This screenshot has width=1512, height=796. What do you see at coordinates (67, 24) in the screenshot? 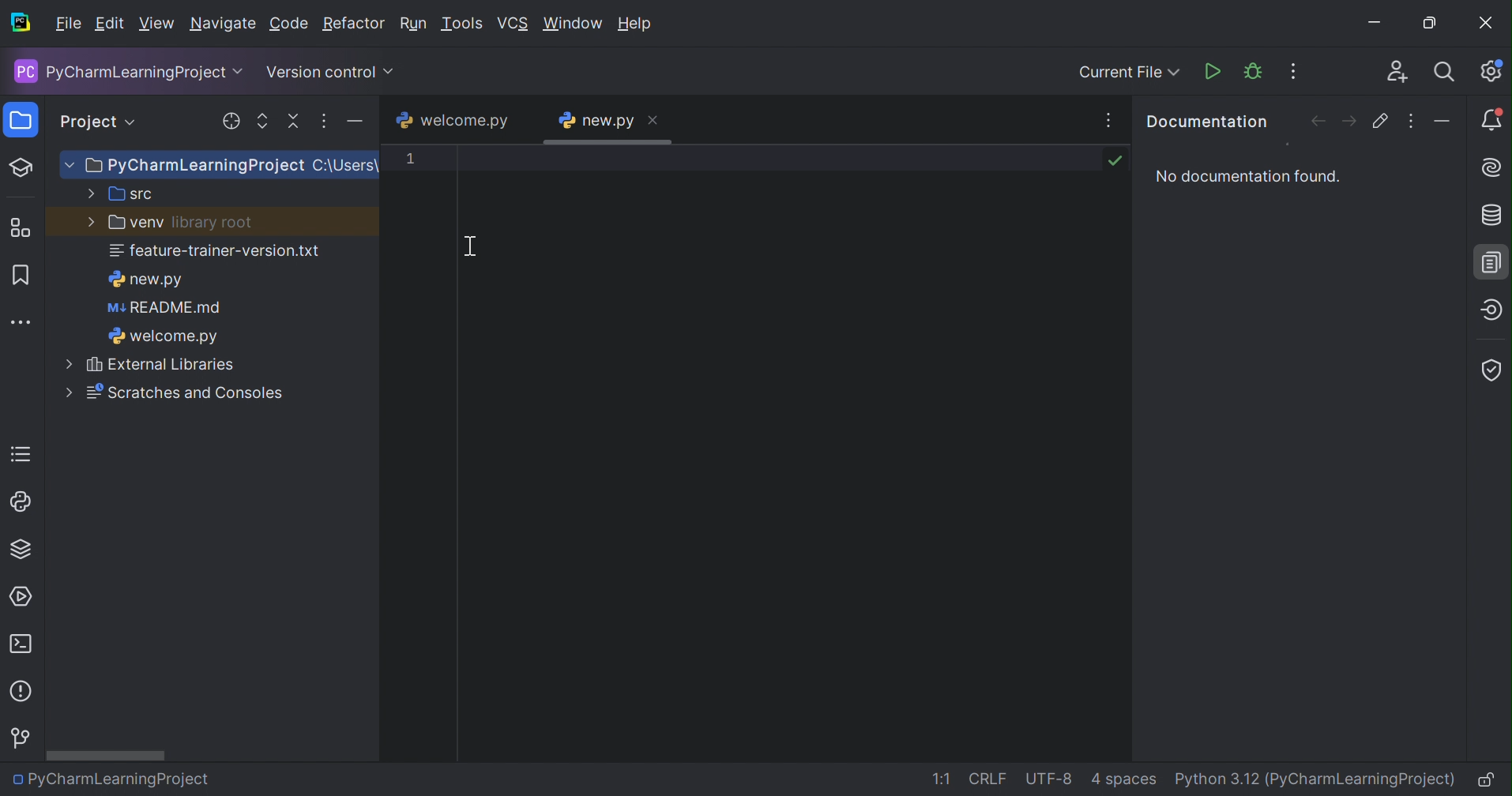
I see `File` at bounding box center [67, 24].